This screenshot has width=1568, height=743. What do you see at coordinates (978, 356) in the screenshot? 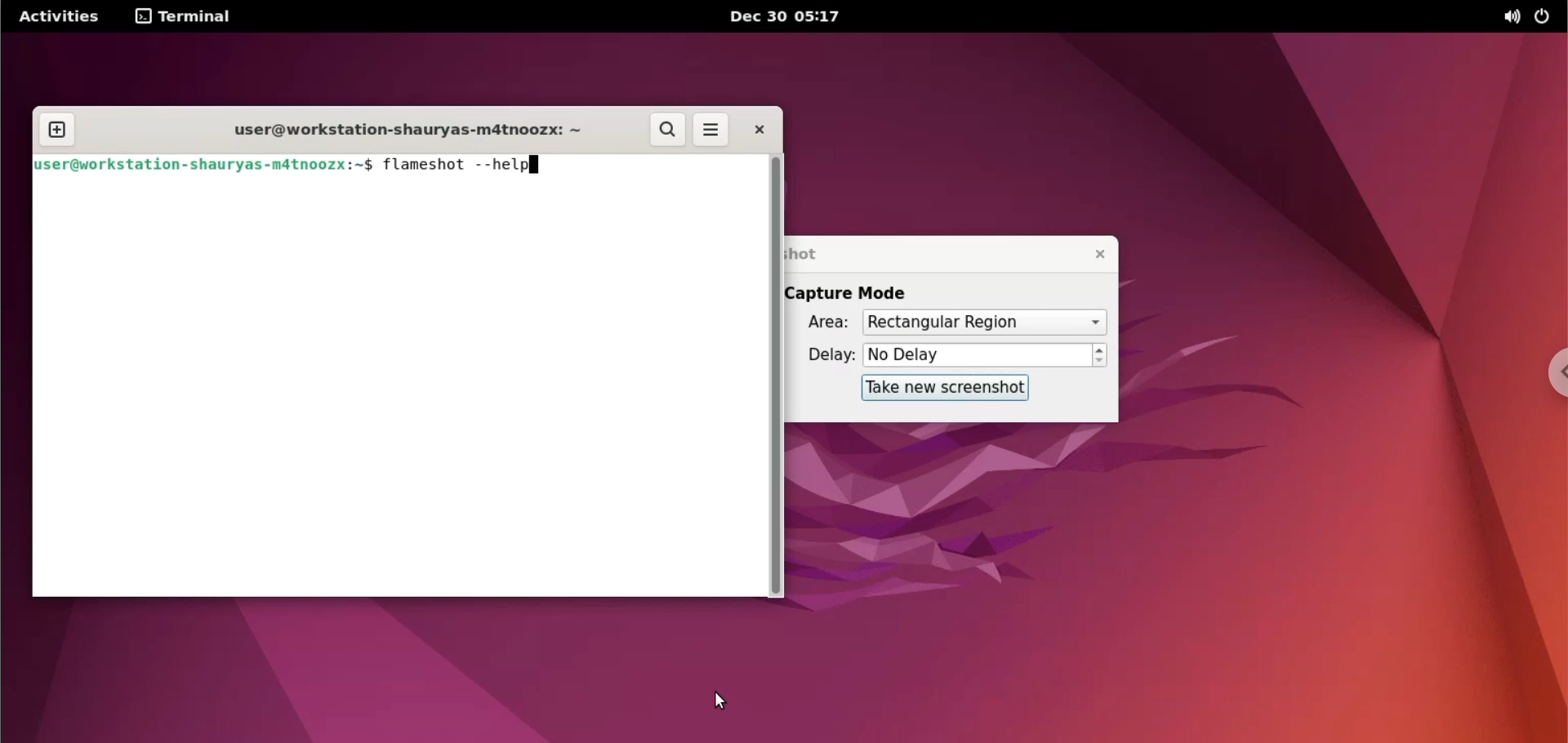
I see `delay options` at bounding box center [978, 356].